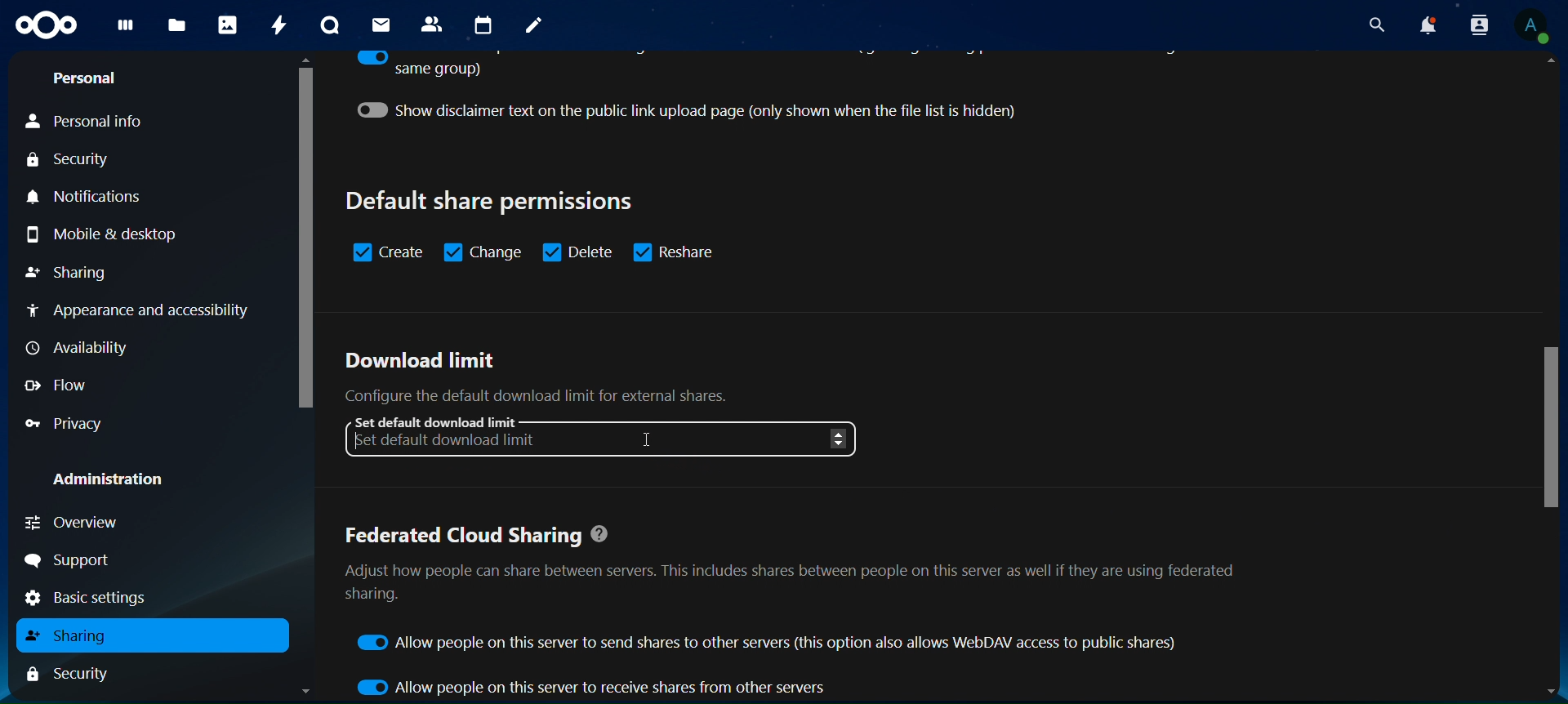 This screenshot has height=704, width=1568. I want to click on change, so click(484, 251).